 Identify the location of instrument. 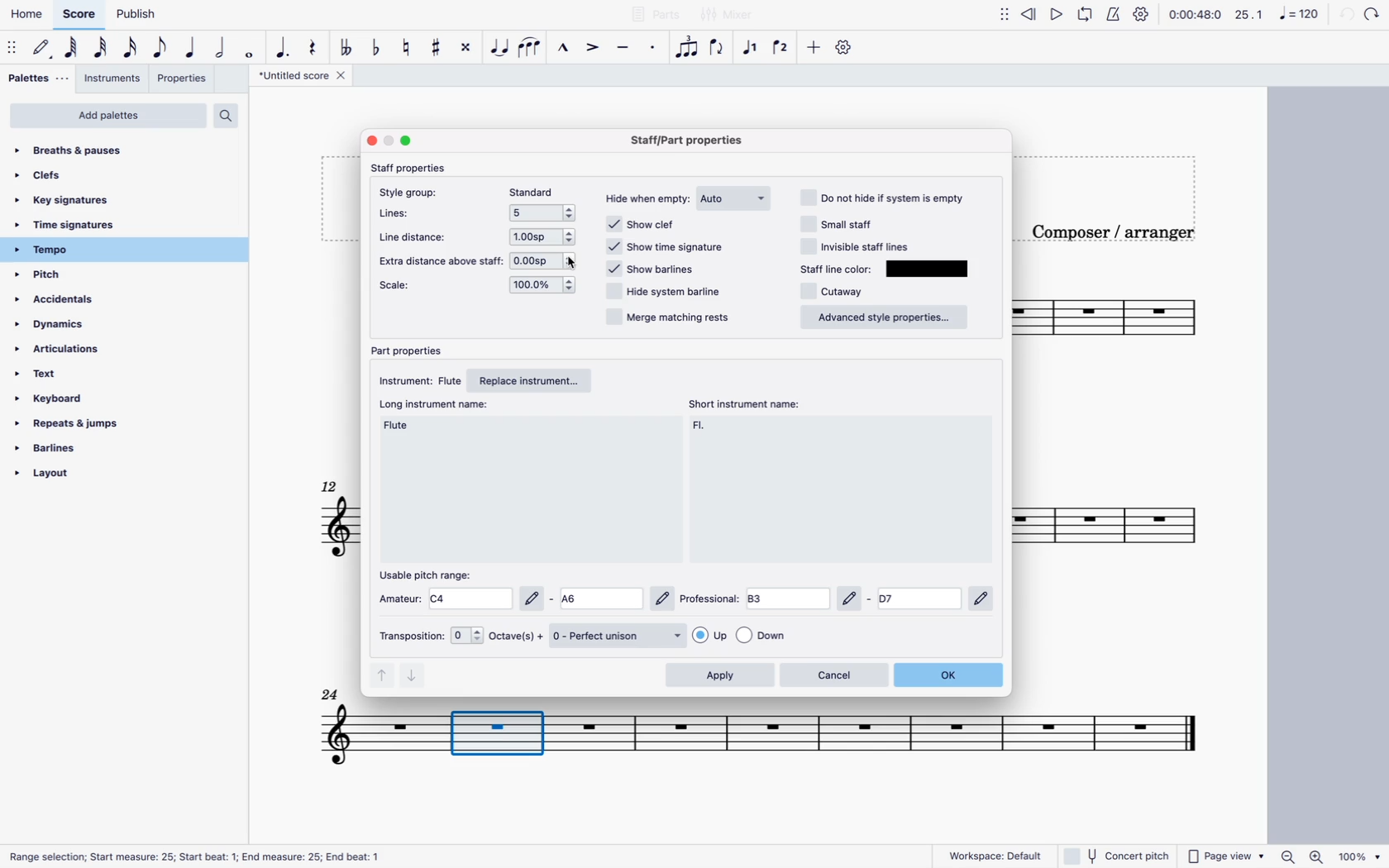
(417, 379).